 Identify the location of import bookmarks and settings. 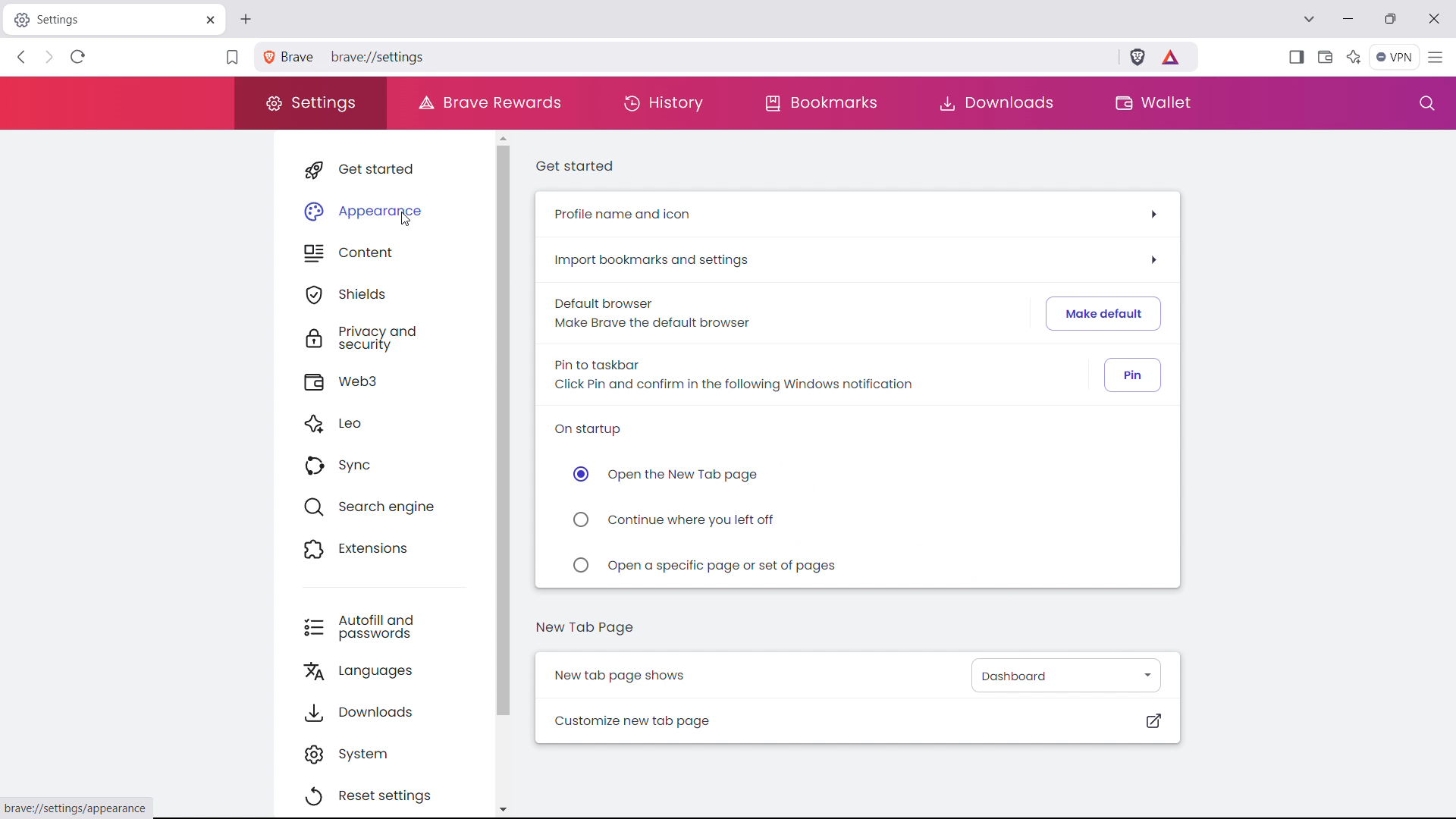
(855, 260).